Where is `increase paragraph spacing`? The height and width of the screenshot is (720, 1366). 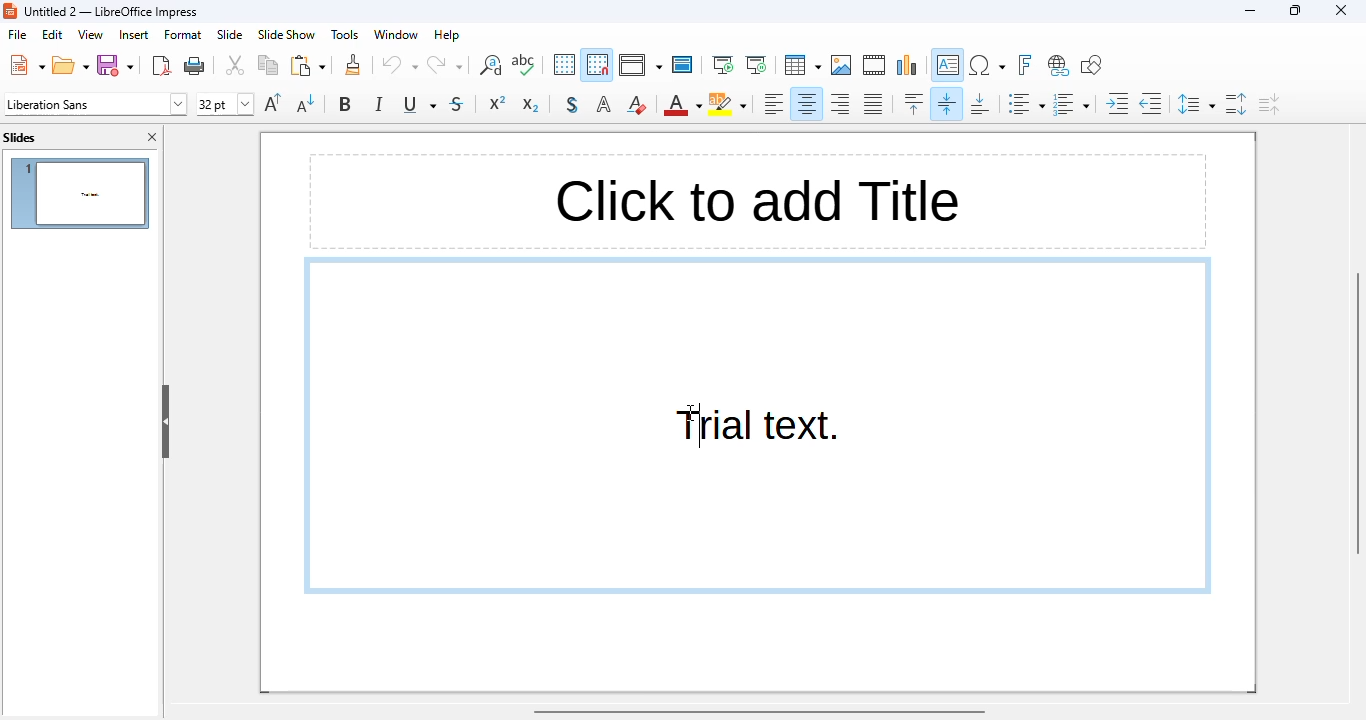
increase paragraph spacing is located at coordinates (1238, 104).